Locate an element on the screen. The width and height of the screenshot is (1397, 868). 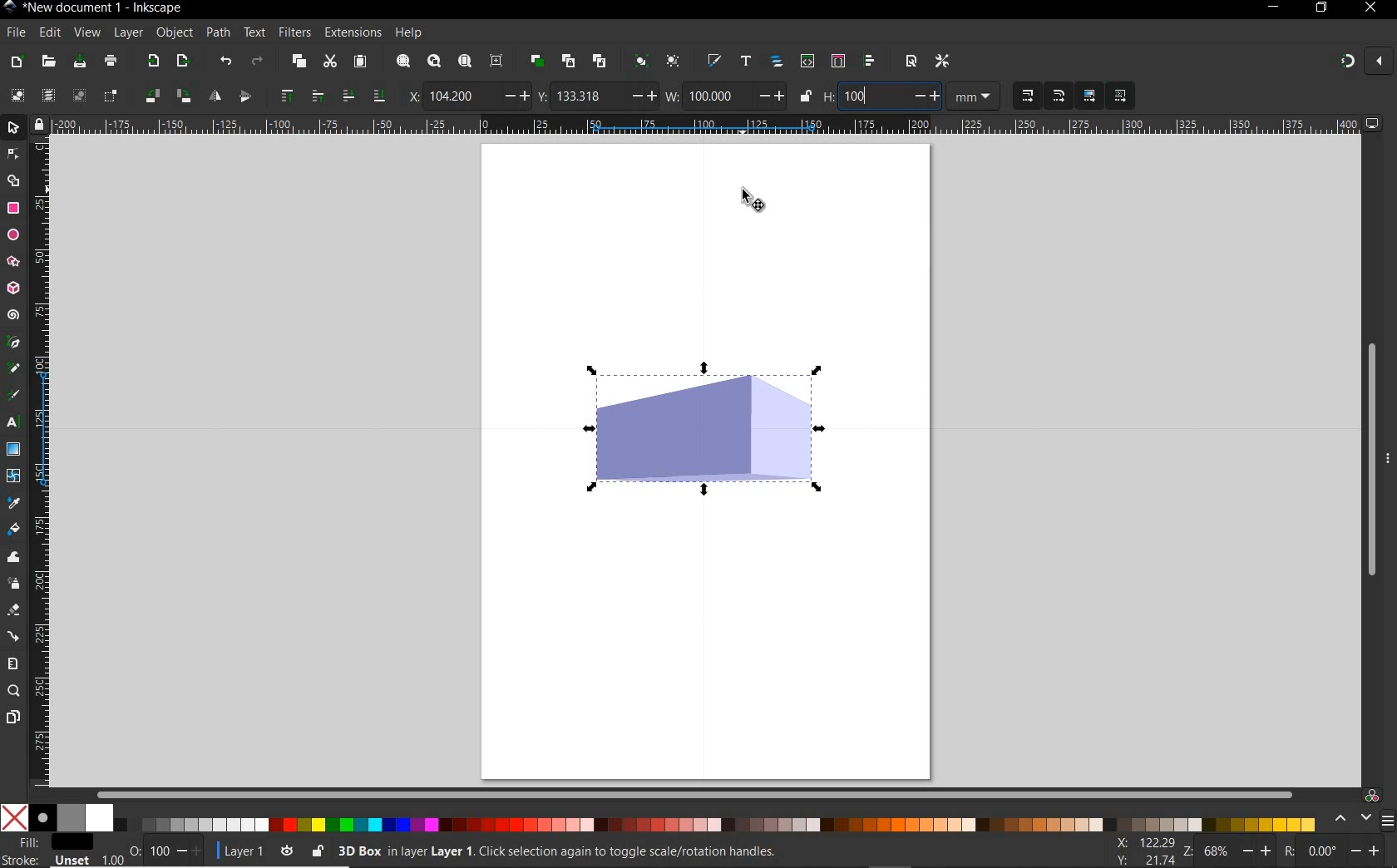
rotation is located at coordinates (1286, 851).